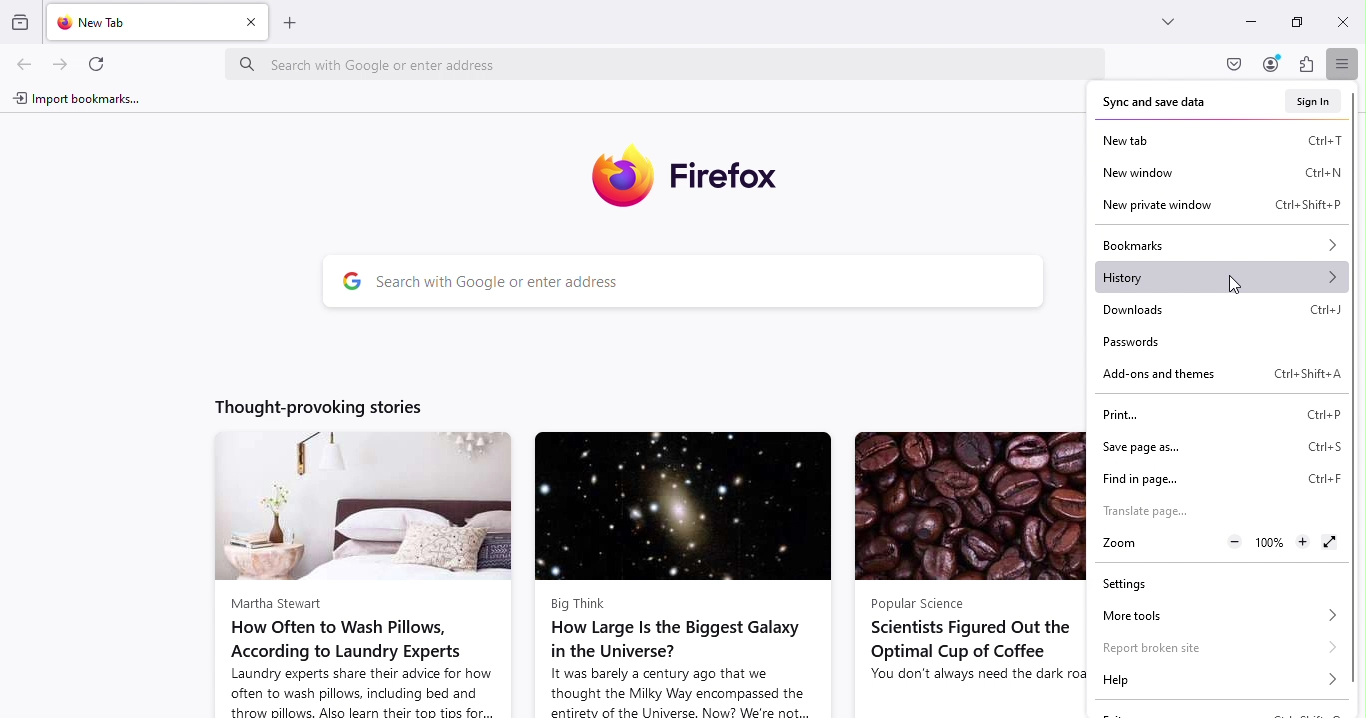 This screenshot has width=1366, height=718. I want to click on Translate page, so click(1160, 513).